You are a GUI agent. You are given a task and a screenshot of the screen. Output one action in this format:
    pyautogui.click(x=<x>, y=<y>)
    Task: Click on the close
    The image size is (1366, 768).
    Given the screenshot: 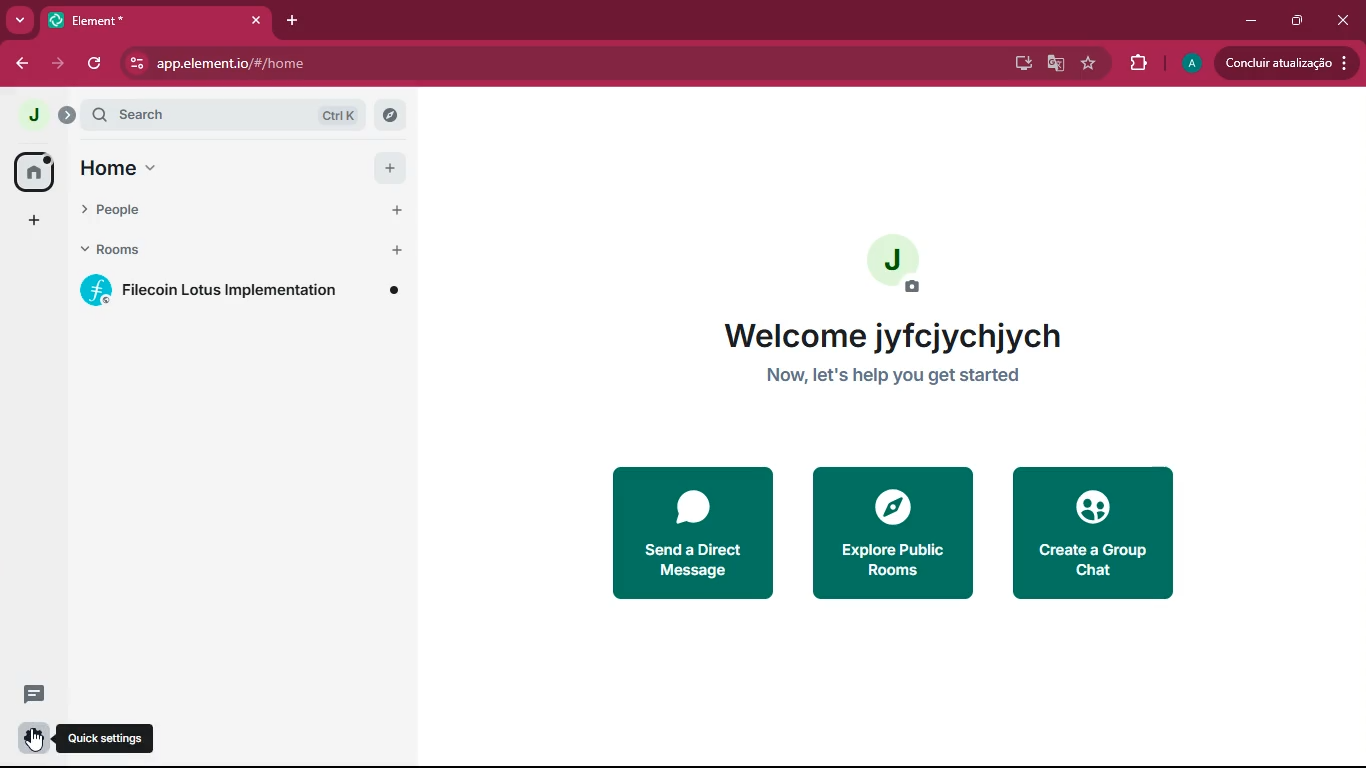 What is the action you would take?
    pyautogui.click(x=256, y=19)
    